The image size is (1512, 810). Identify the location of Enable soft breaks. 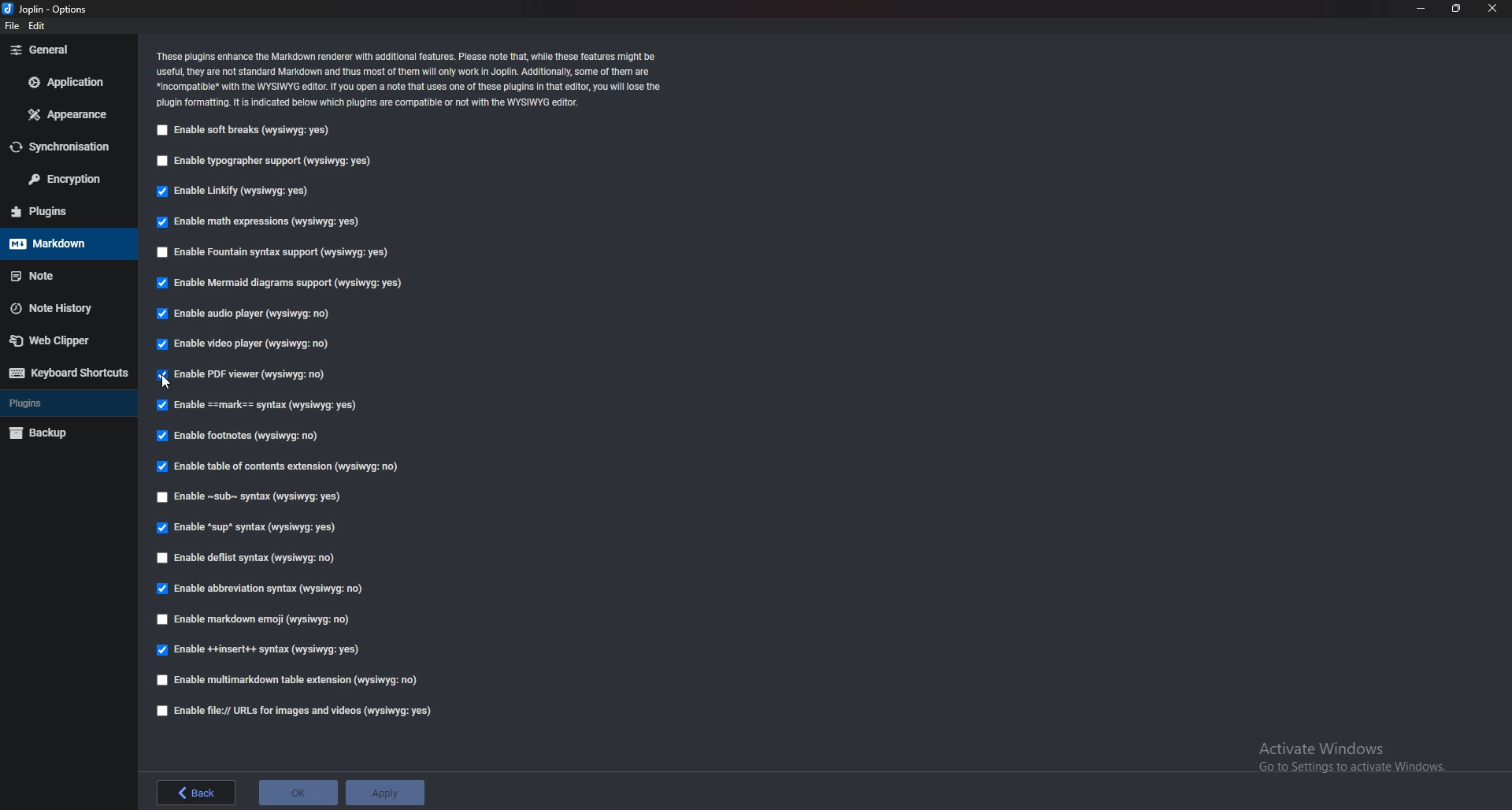
(246, 130).